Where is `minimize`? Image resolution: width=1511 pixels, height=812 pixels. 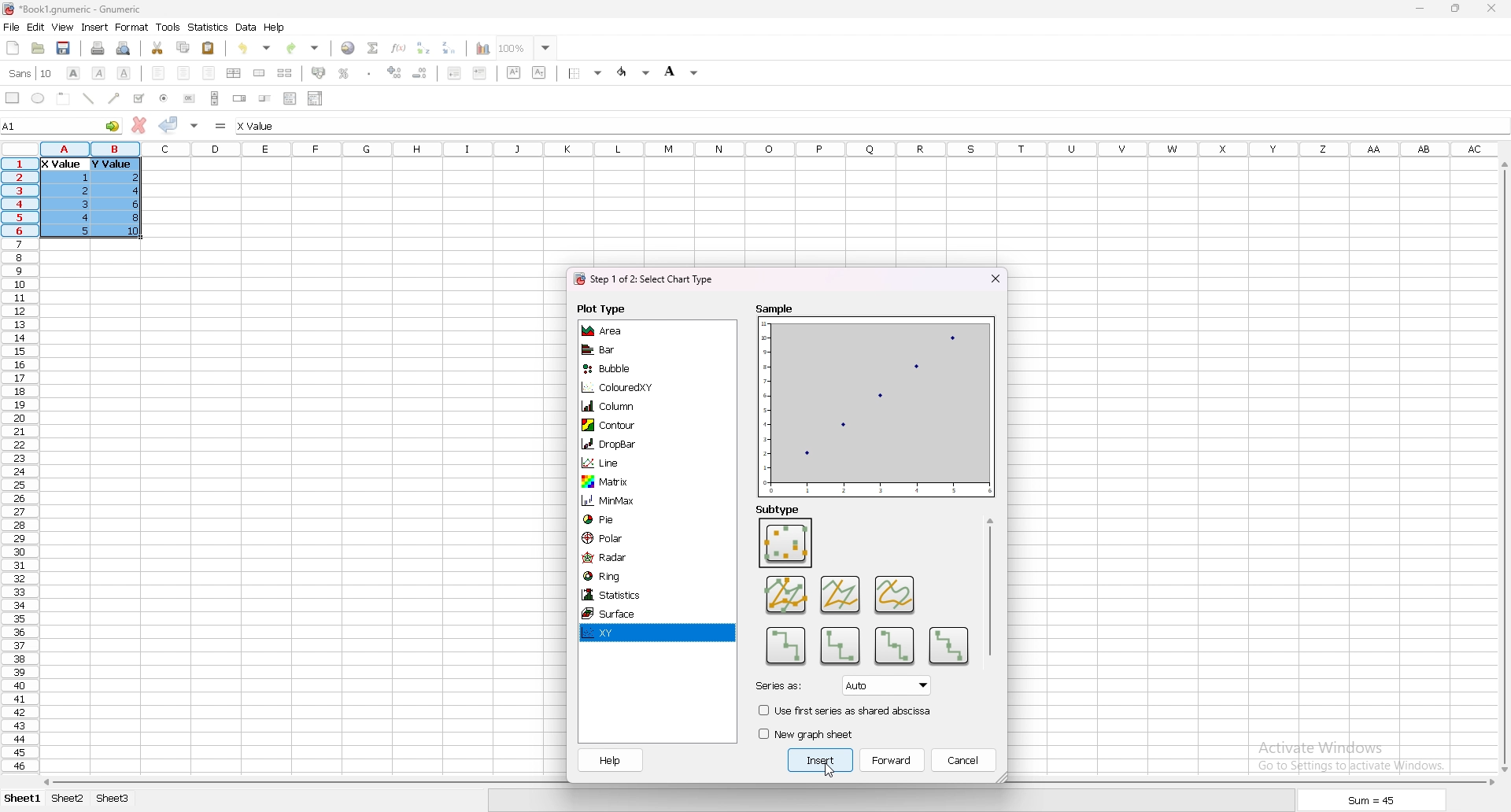
minimize is located at coordinates (1420, 9).